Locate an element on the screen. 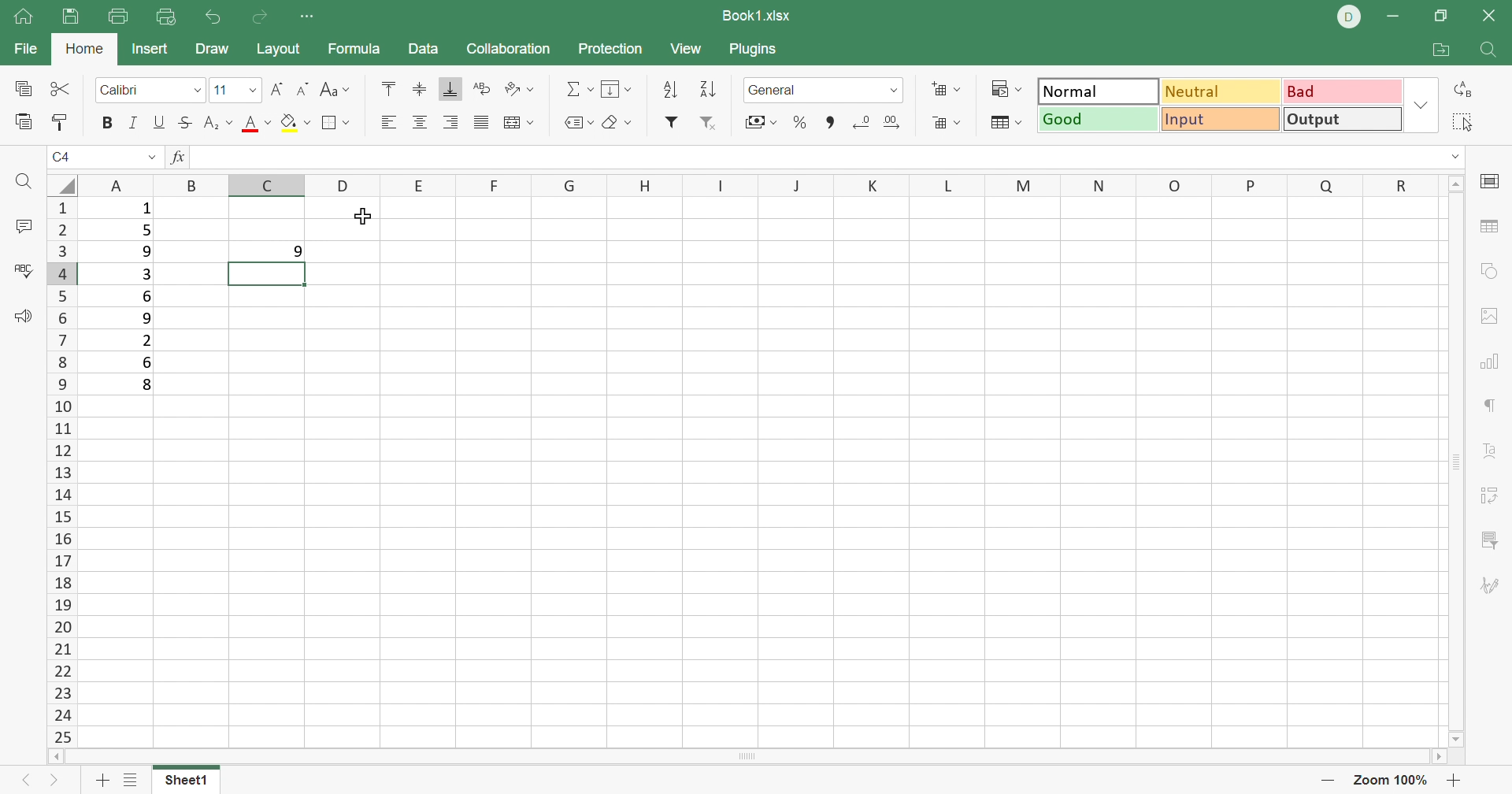 The width and height of the screenshot is (1512, 794). Sheet1 is located at coordinates (190, 783).